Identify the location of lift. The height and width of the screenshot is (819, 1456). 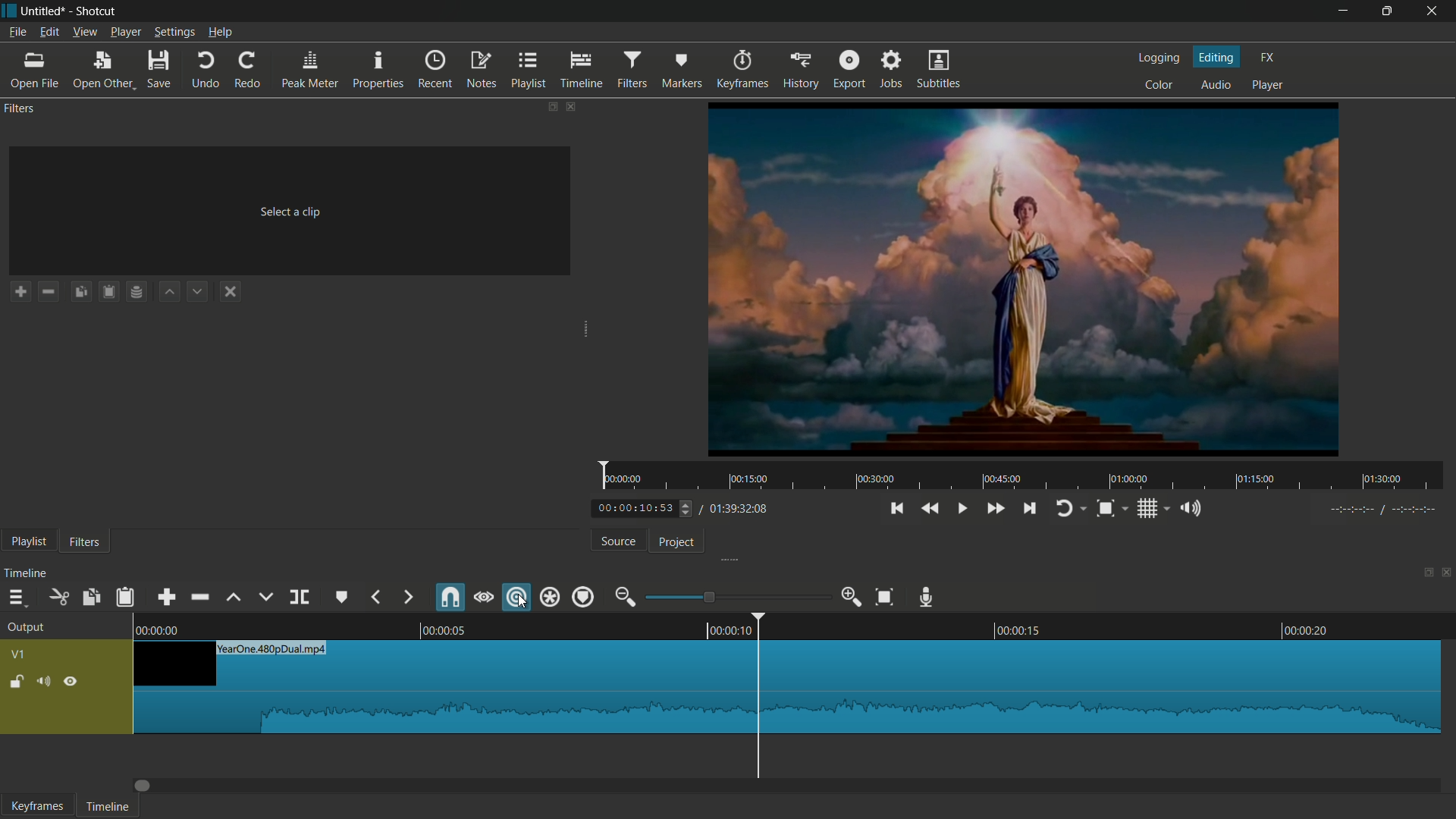
(235, 598).